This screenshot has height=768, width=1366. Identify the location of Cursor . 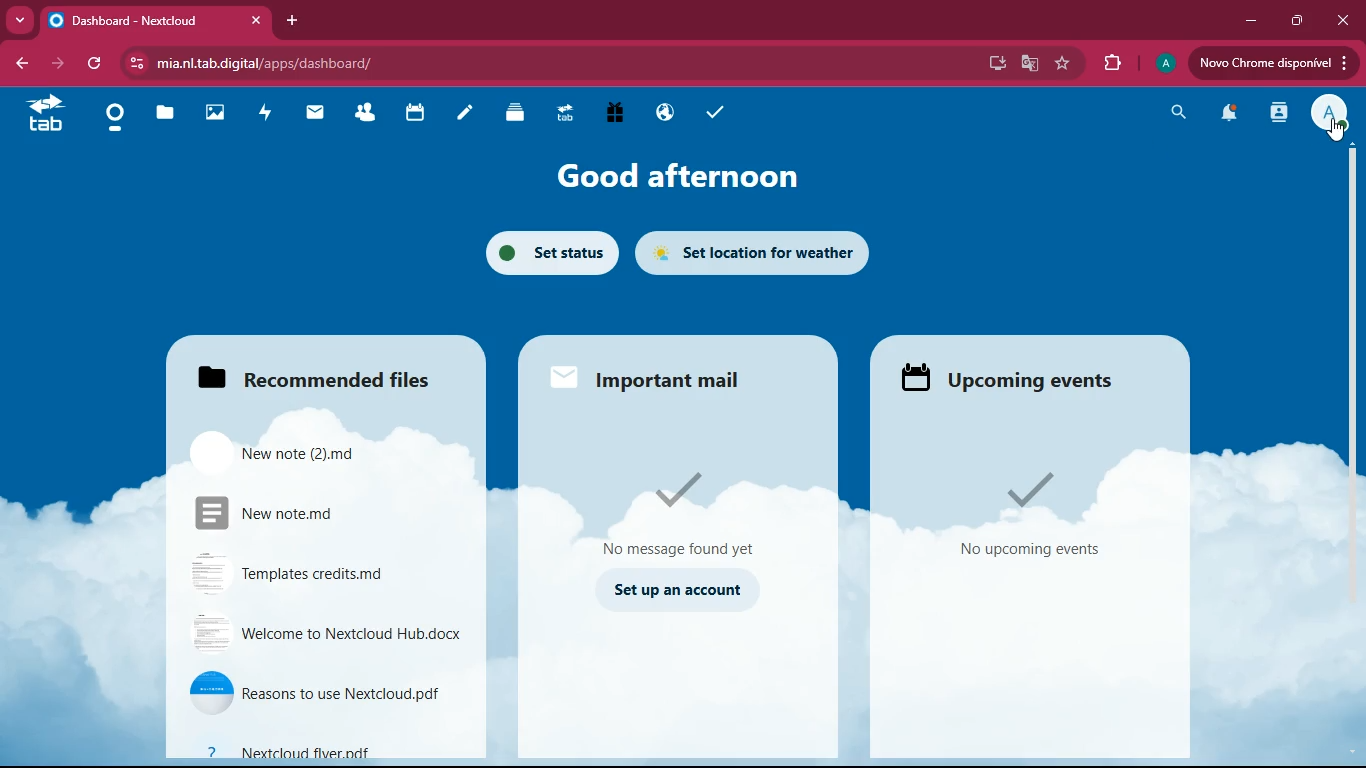
(1337, 131).